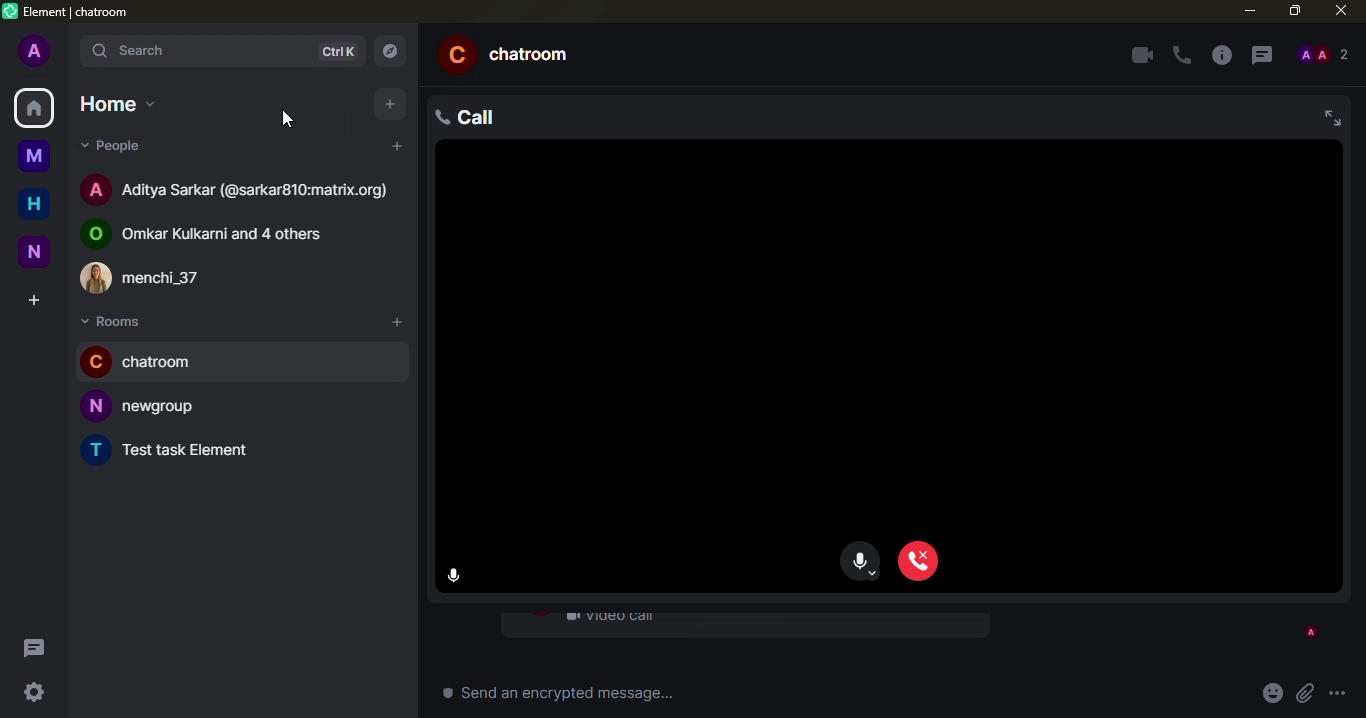 The image size is (1366, 718). What do you see at coordinates (458, 577) in the screenshot?
I see `sound` at bounding box center [458, 577].